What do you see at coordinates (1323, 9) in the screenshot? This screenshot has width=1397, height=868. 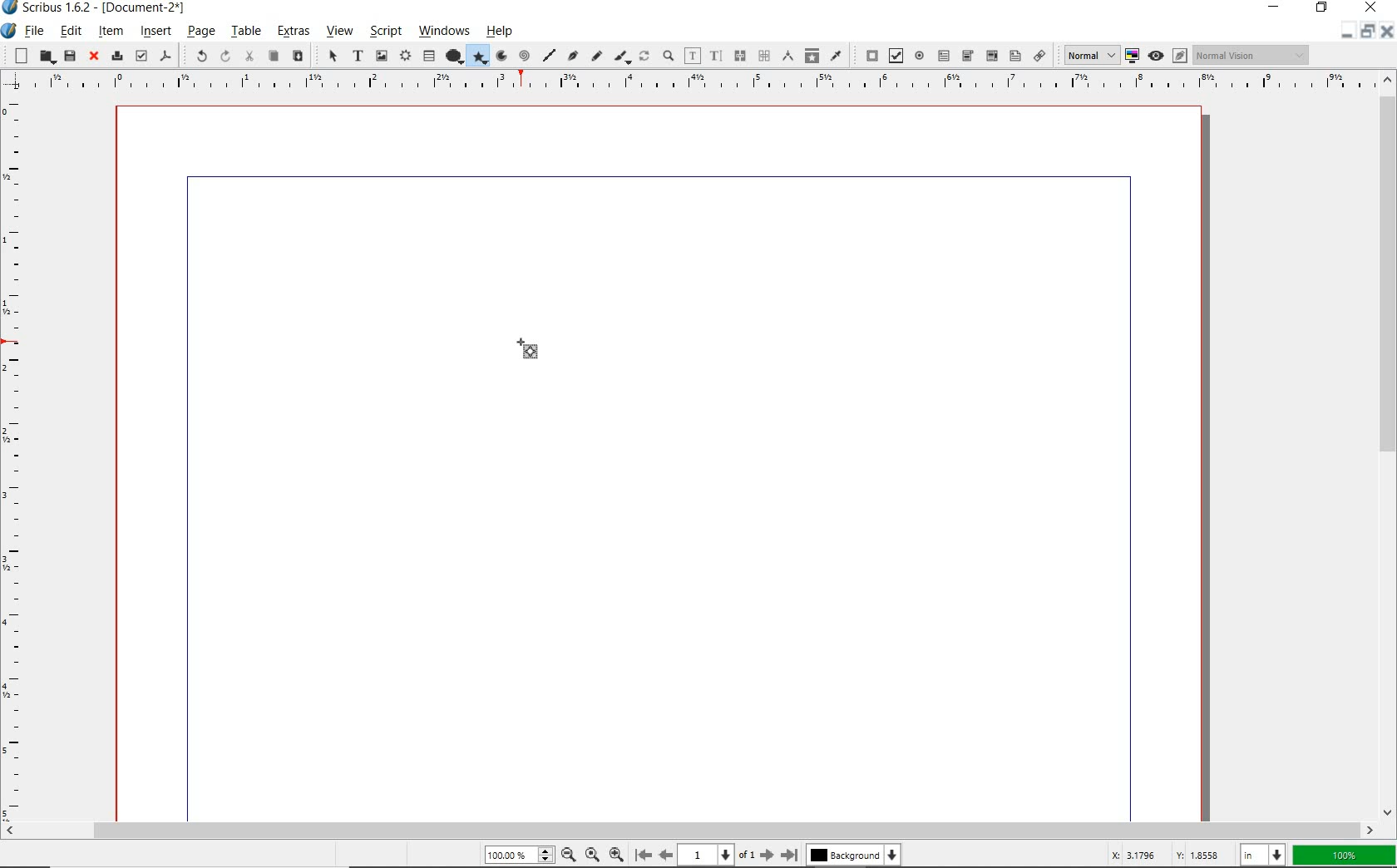 I see `restore` at bounding box center [1323, 9].